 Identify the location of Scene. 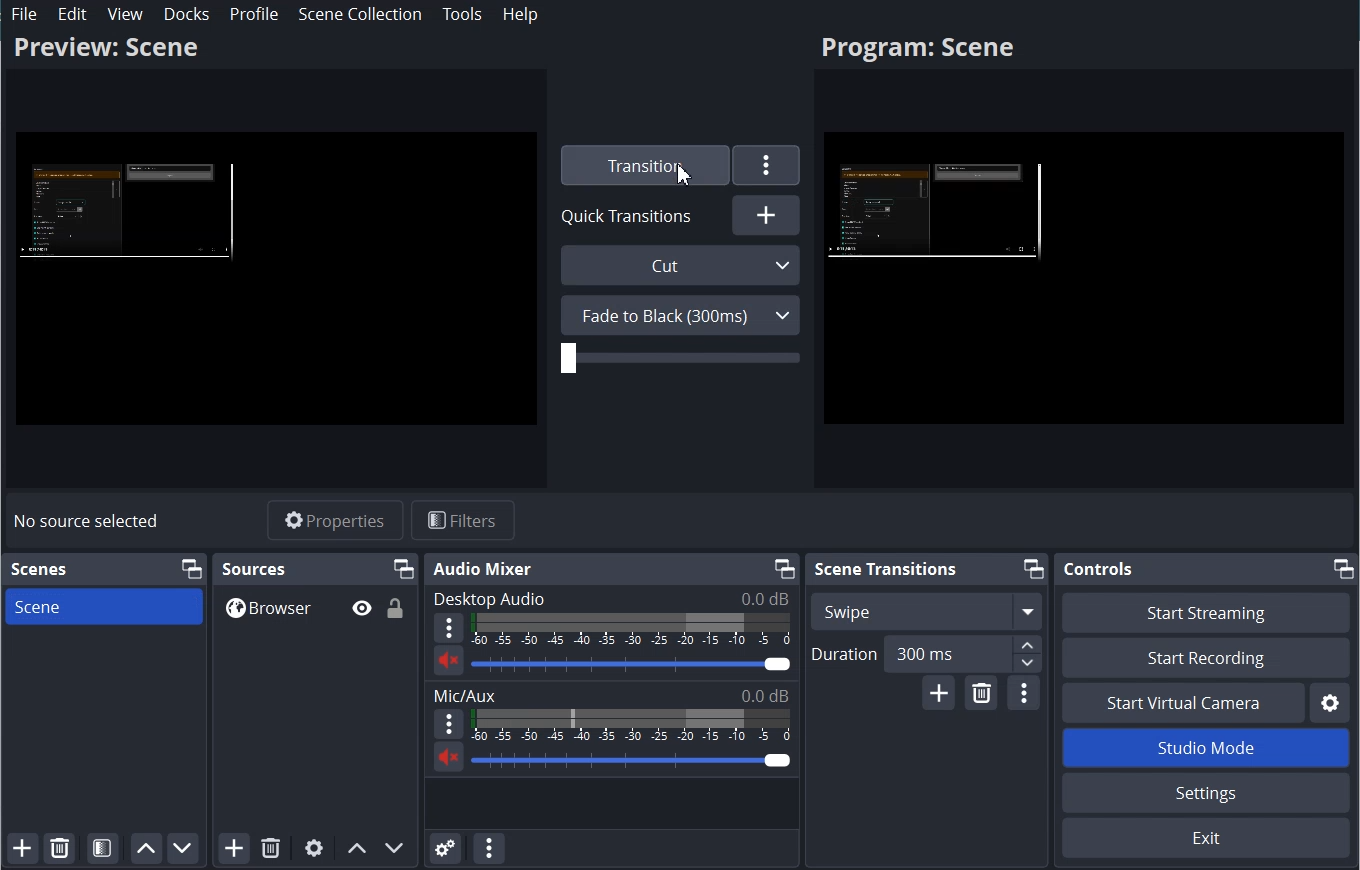
(103, 606).